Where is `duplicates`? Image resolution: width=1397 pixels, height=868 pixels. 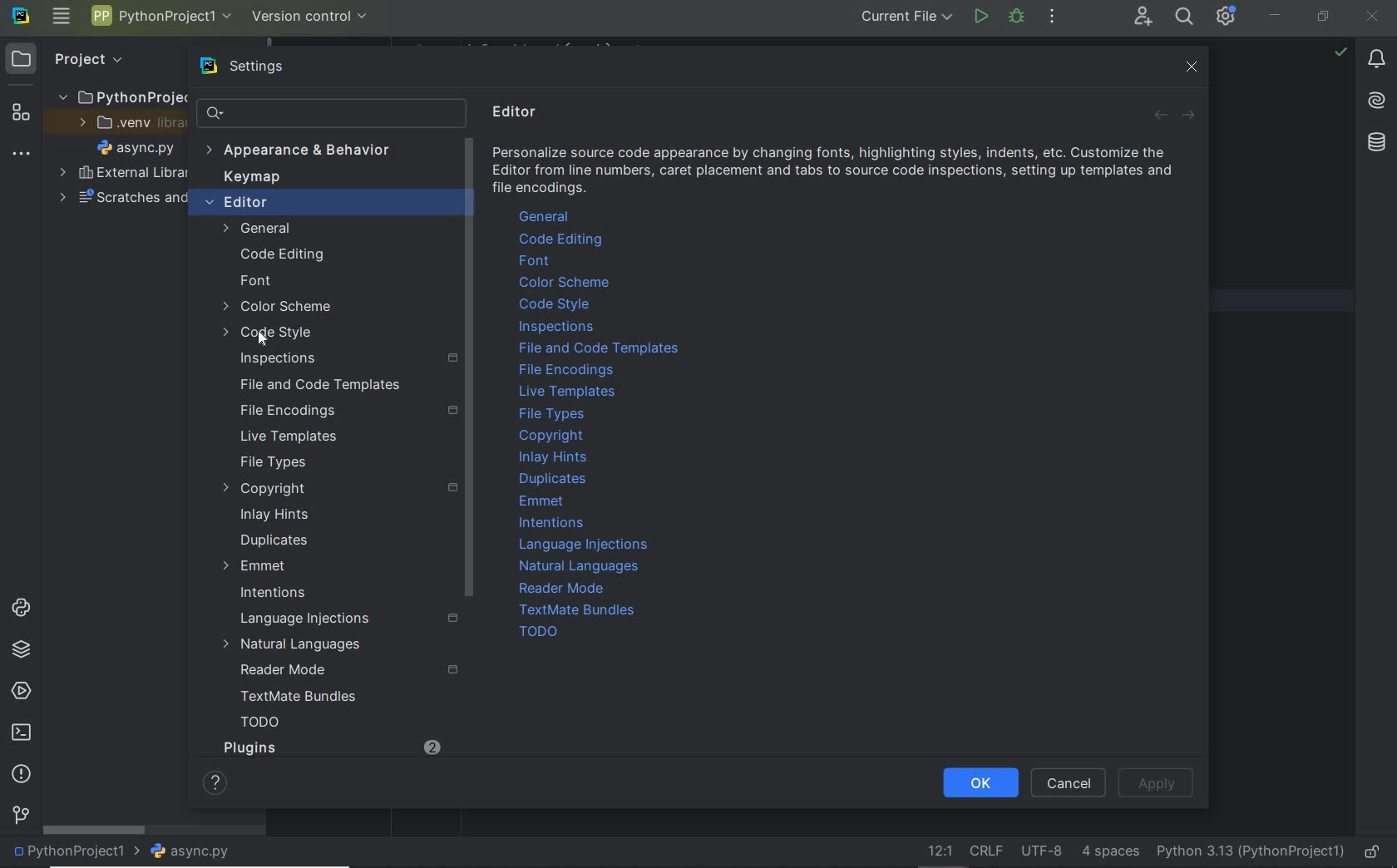
duplicates is located at coordinates (554, 479).